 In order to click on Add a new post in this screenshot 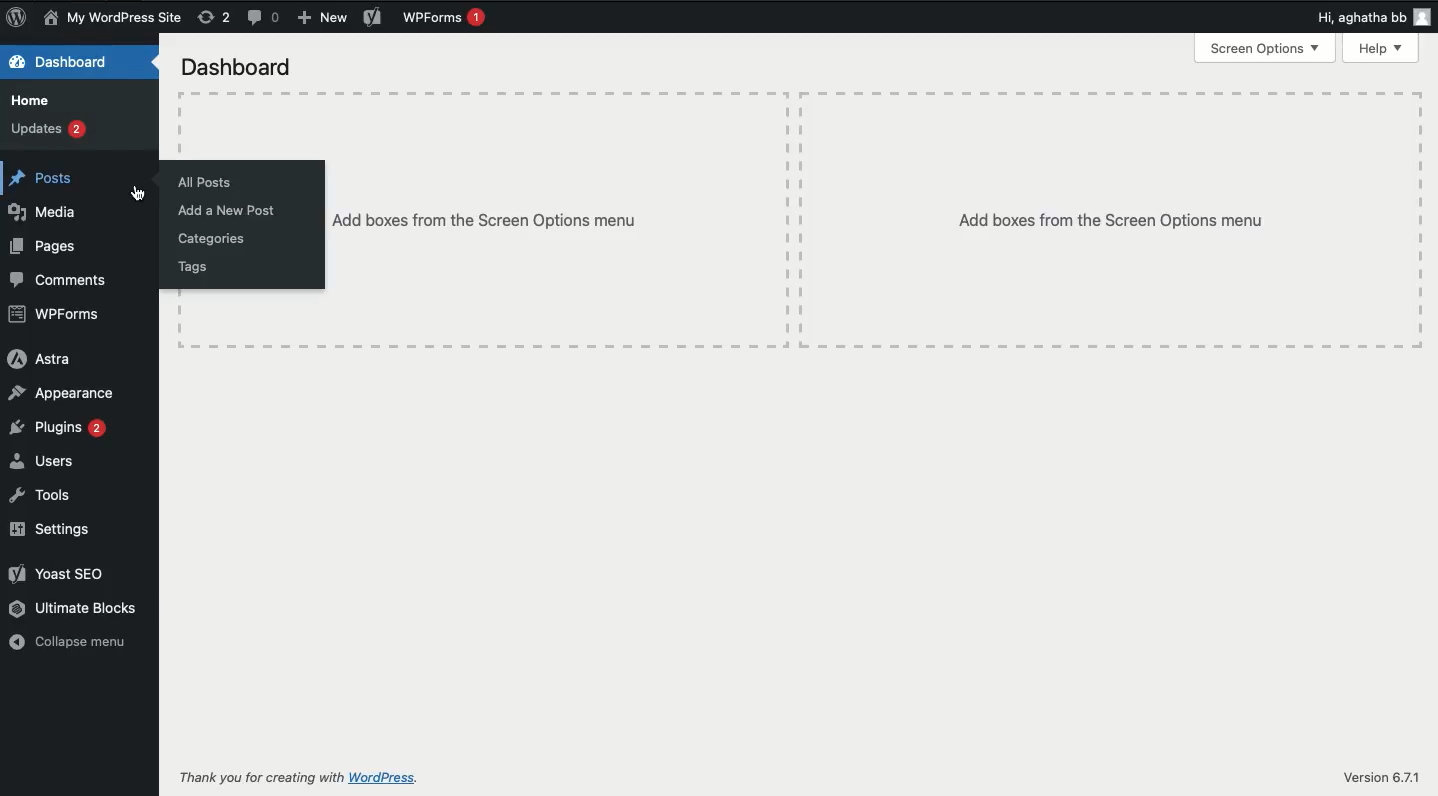, I will do `click(226, 212)`.